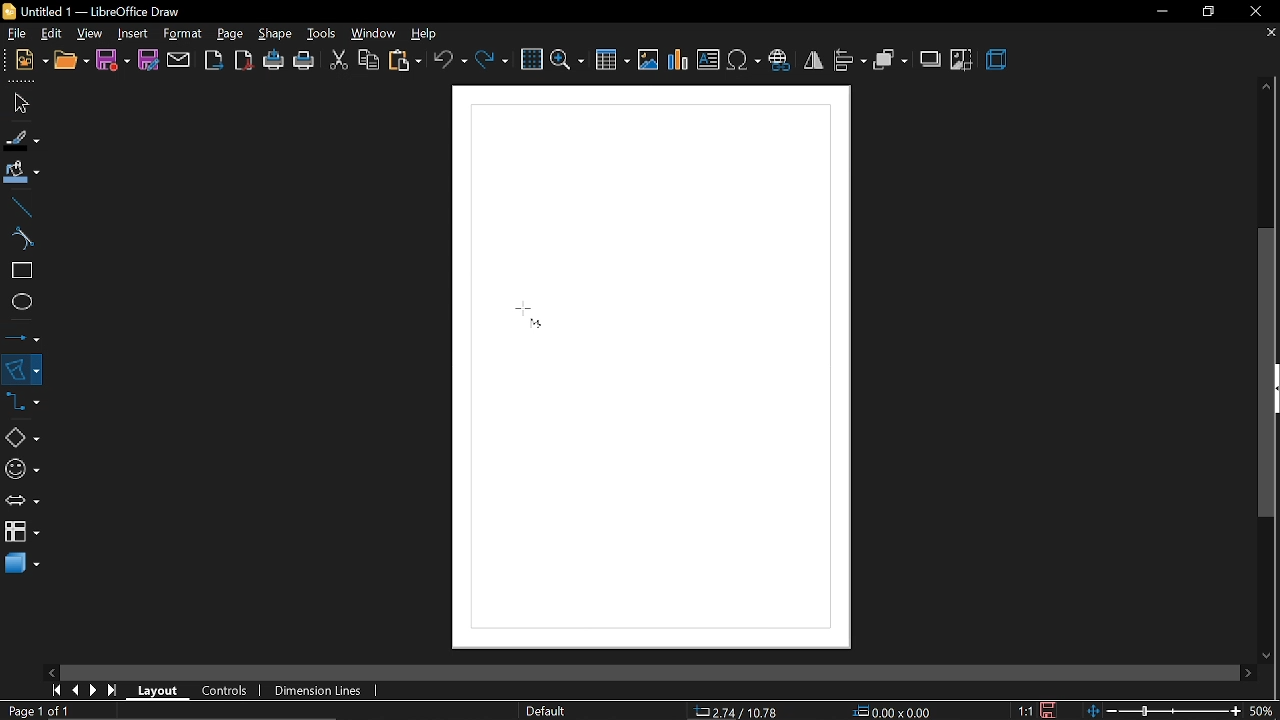  What do you see at coordinates (743, 60) in the screenshot?
I see `insert symbol` at bounding box center [743, 60].